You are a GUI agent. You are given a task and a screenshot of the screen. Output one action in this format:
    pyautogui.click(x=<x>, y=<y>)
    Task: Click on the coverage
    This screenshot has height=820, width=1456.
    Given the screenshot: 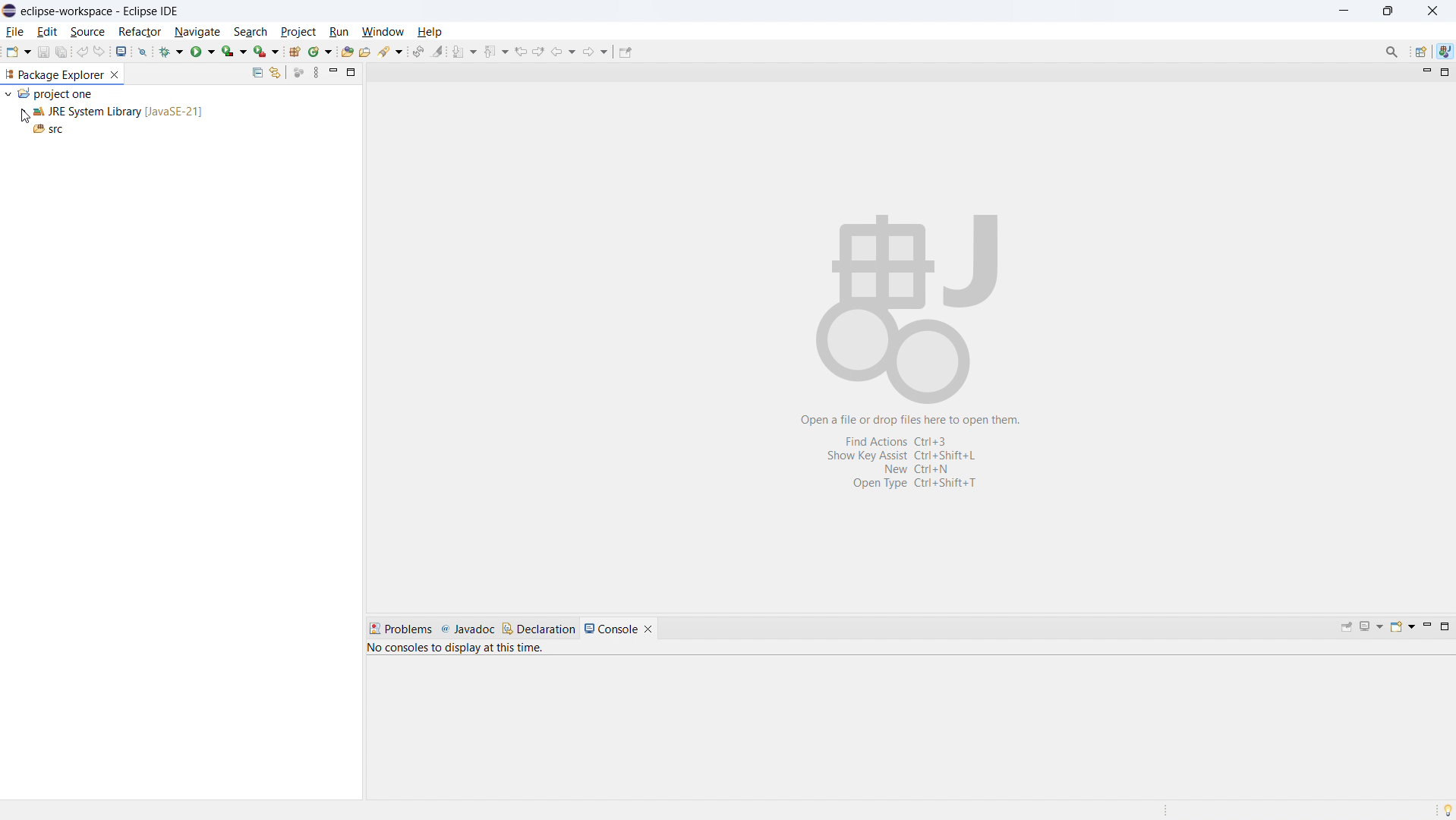 What is the action you would take?
    pyautogui.click(x=234, y=52)
    